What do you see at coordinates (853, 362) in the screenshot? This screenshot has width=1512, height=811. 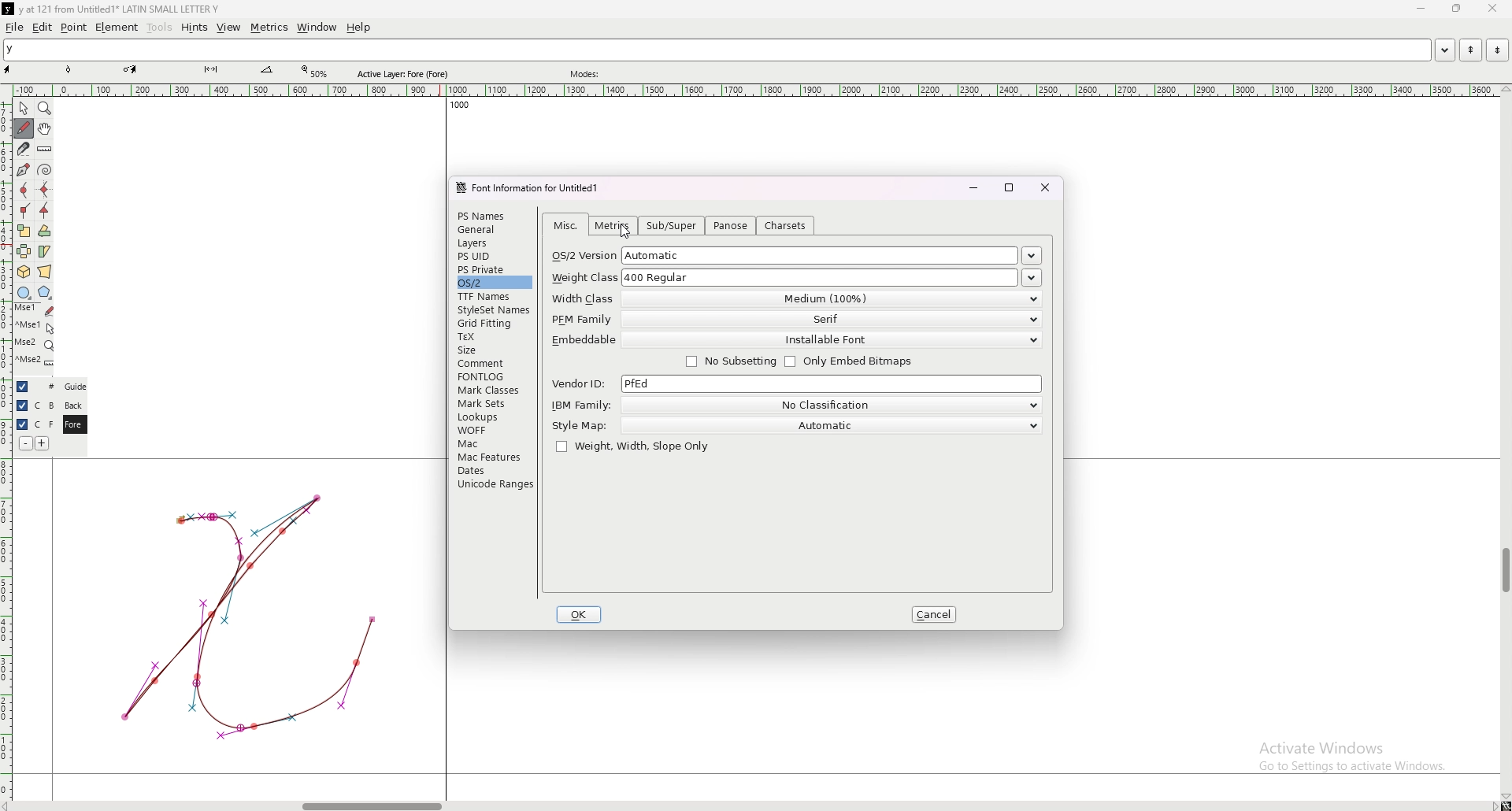 I see `only embed bitmaps` at bounding box center [853, 362].